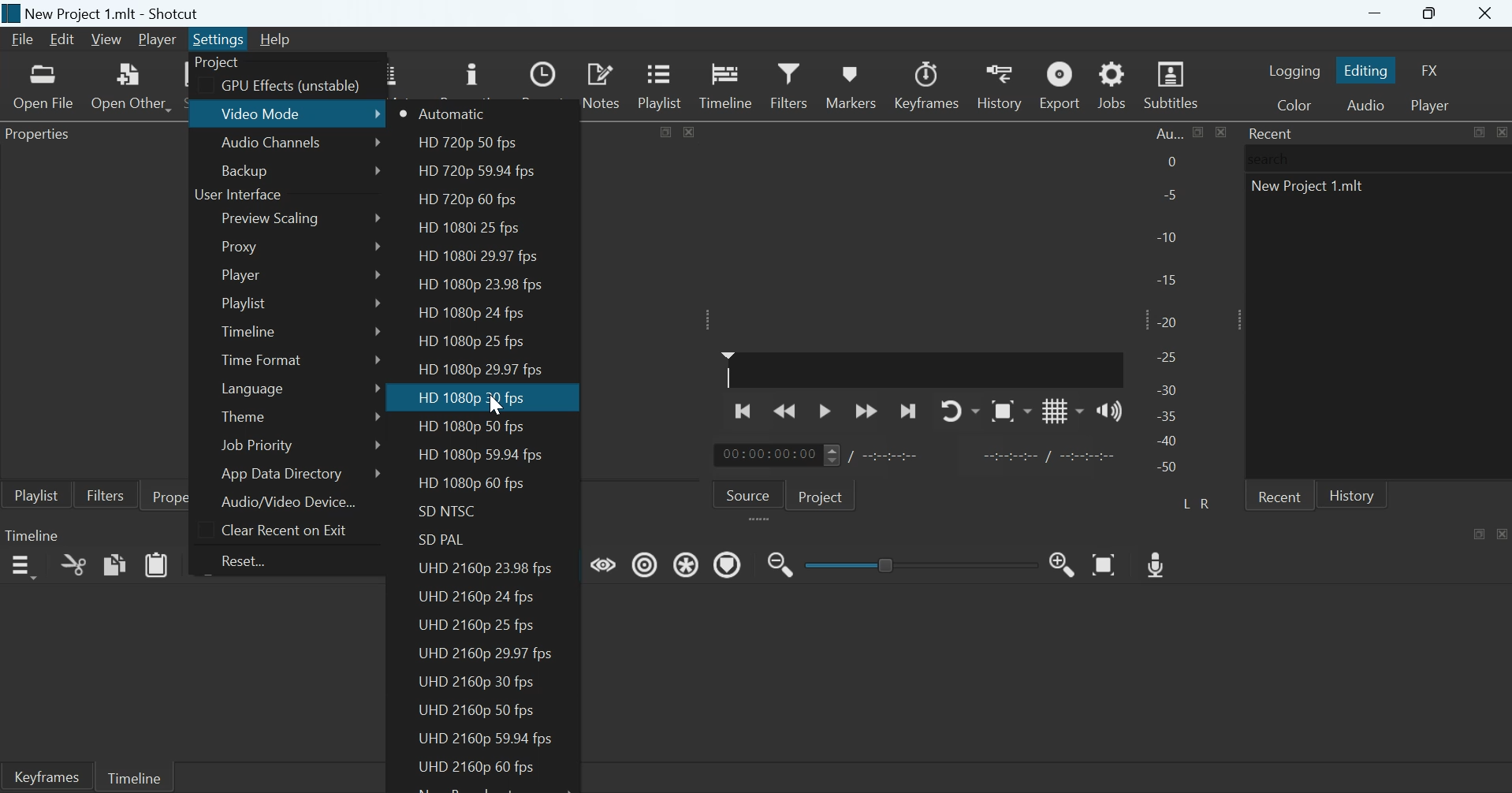  Describe the element at coordinates (485, 368) in the screenshot. I see `HD 1080p 29.97 fps` at that location.